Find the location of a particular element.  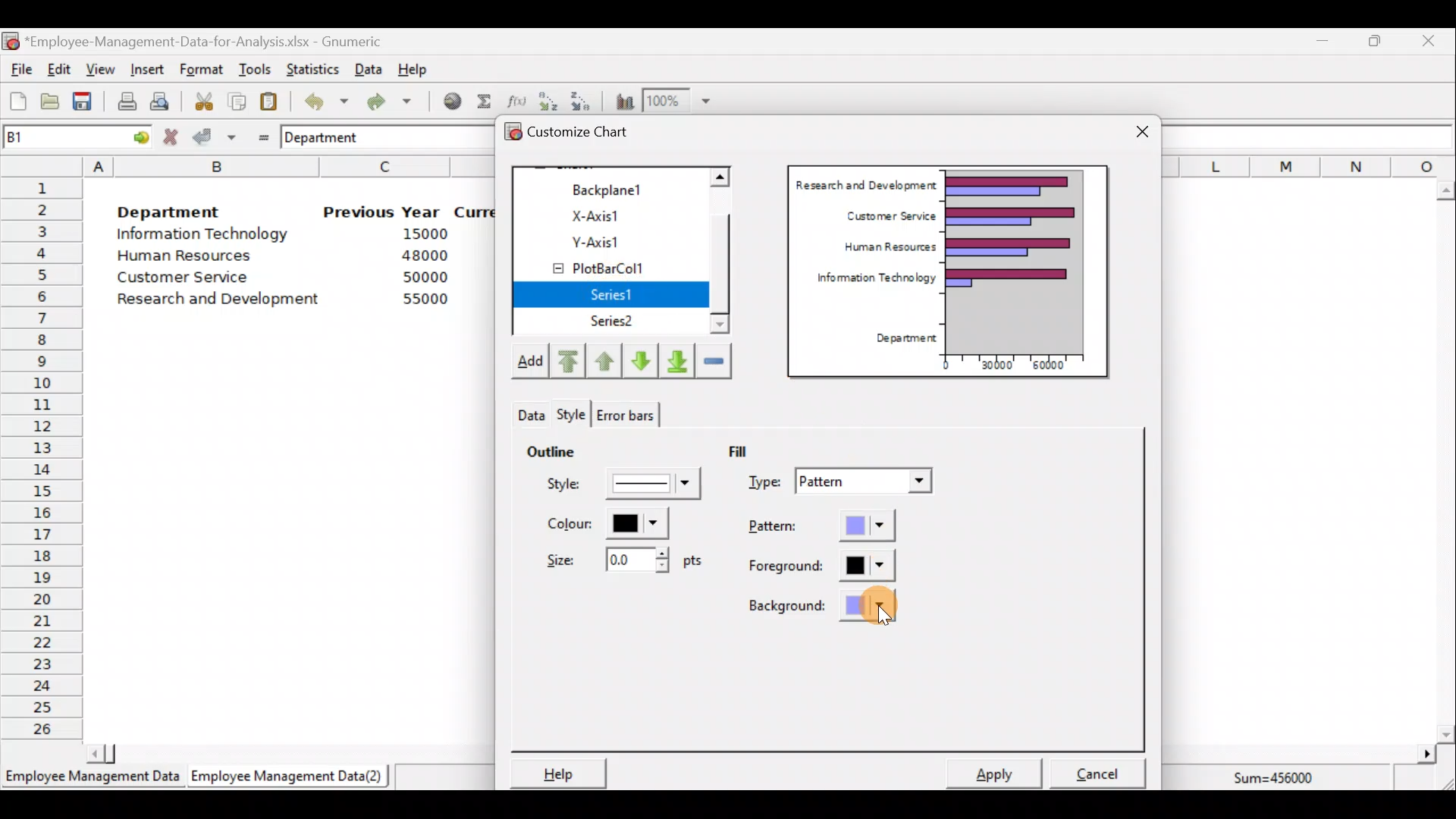

Department is located at coordinates (901, 339).